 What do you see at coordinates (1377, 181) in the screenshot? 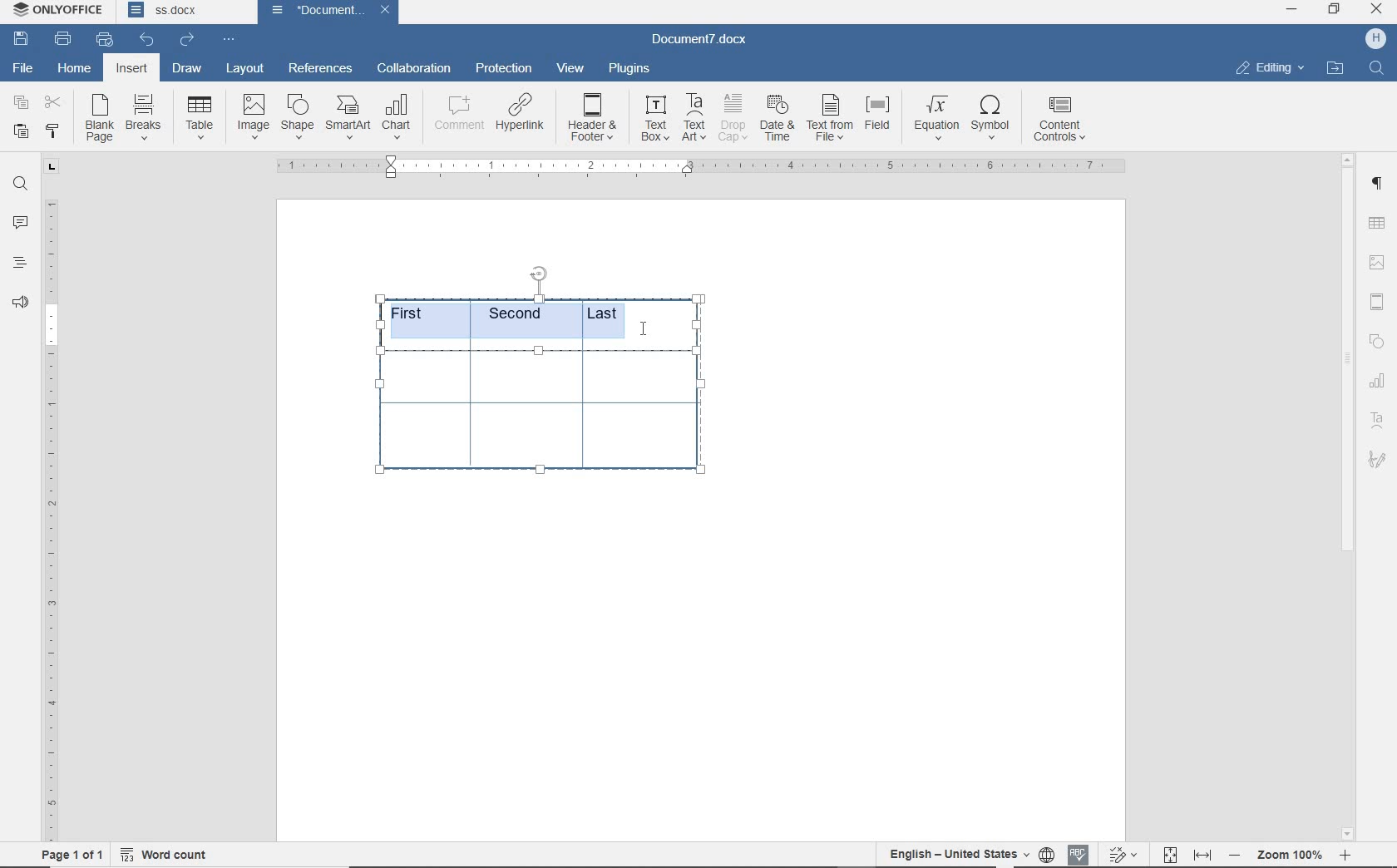
I see `PARAGRAPH SETTINGS` at bounding box center [1377, 181].